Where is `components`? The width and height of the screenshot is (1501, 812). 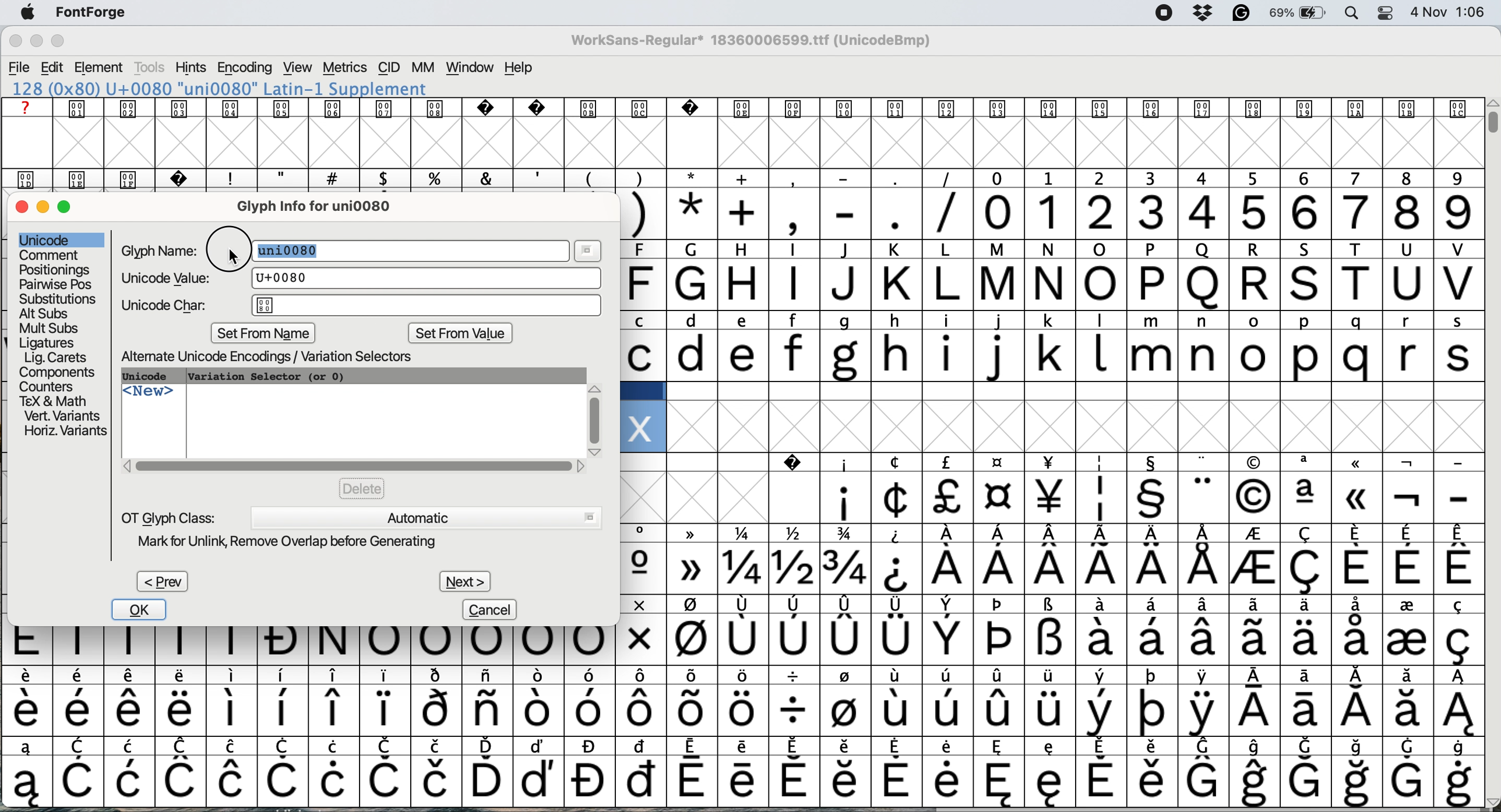 components is located at coordinates (61, 372).